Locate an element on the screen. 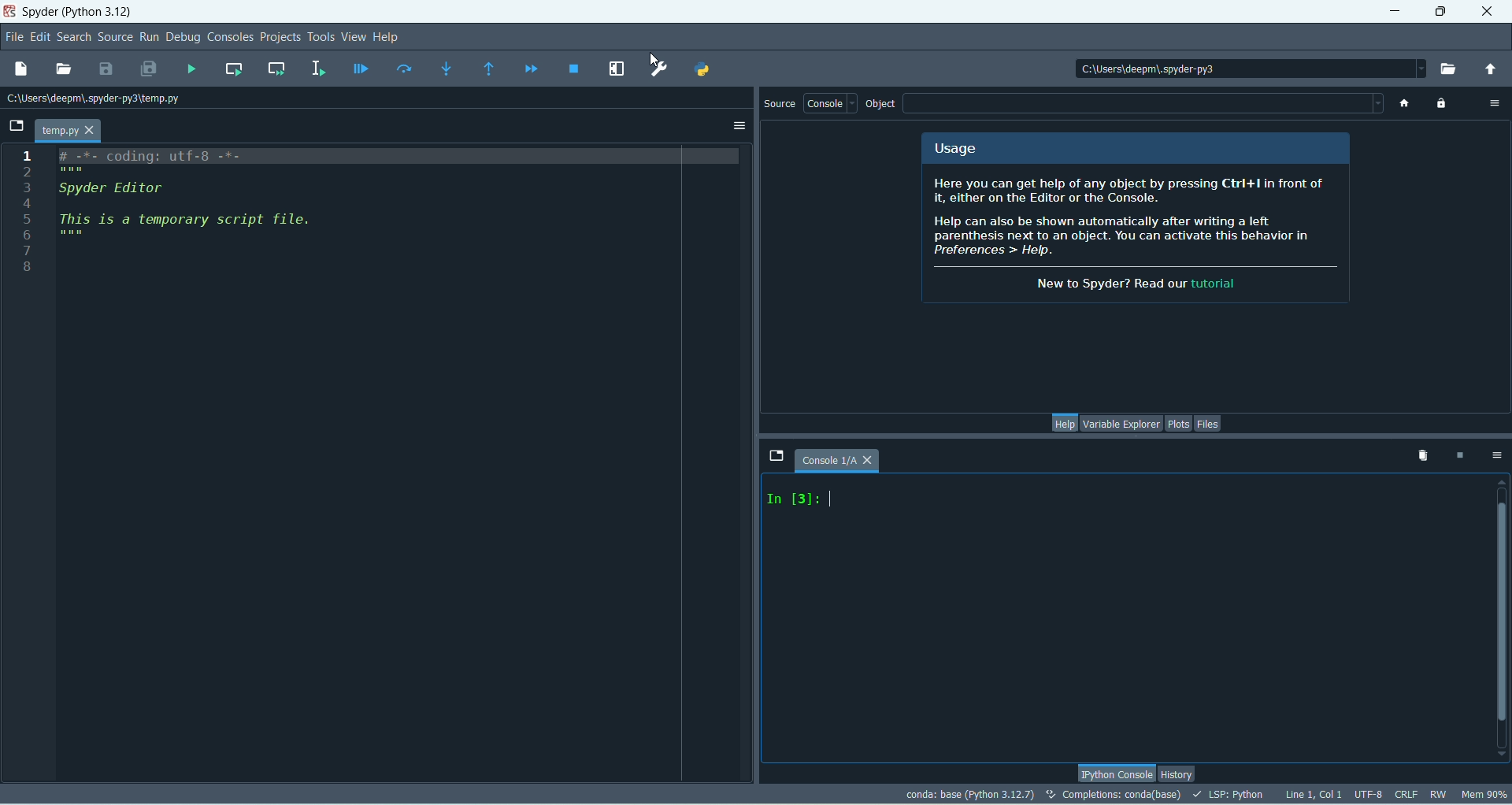 The height and width of the screenshot is (805, 1512). interrupt kernel is located at coordinates (1464, 455).